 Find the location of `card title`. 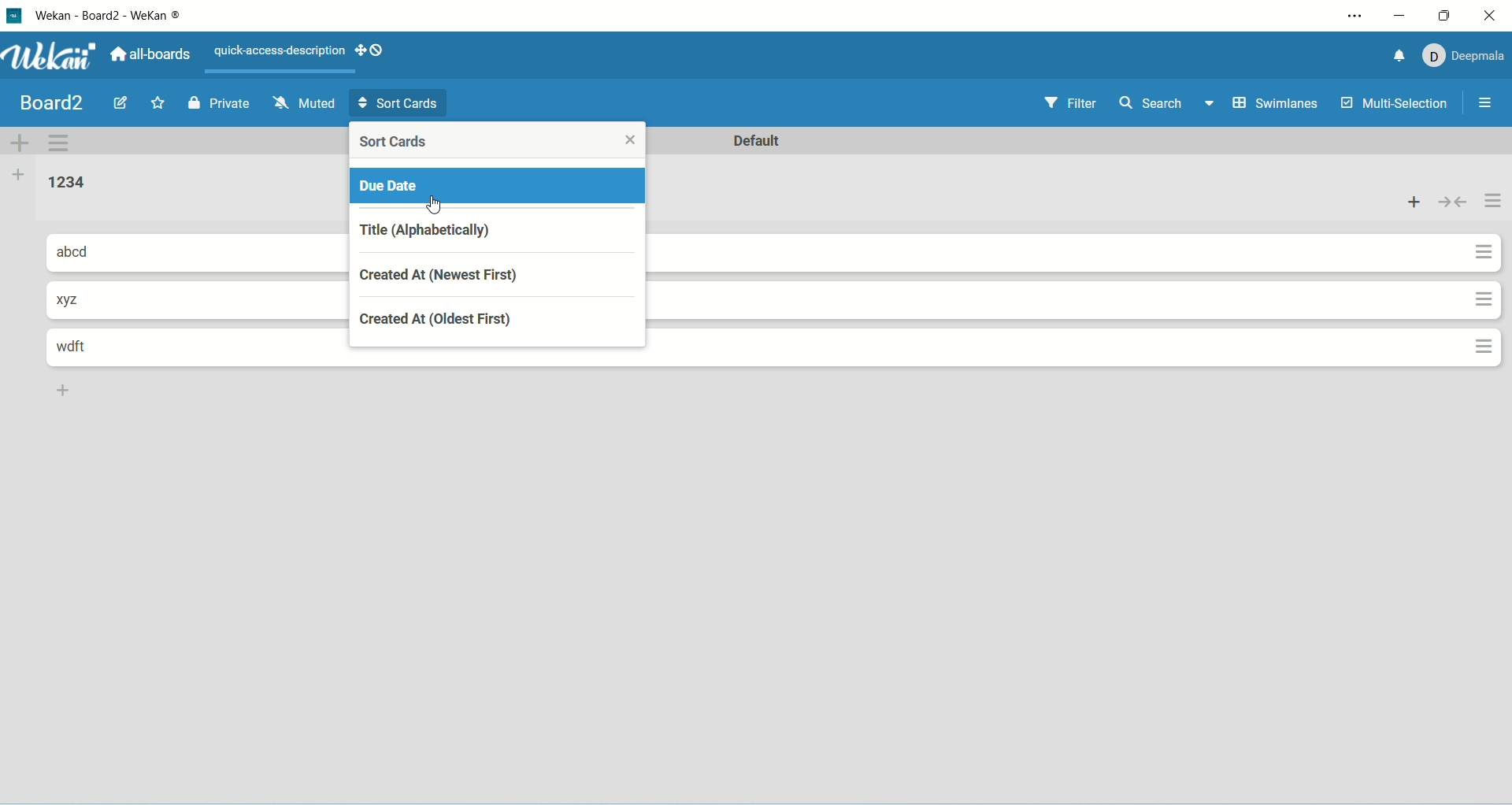

card title is located at coordinates (81, 252).